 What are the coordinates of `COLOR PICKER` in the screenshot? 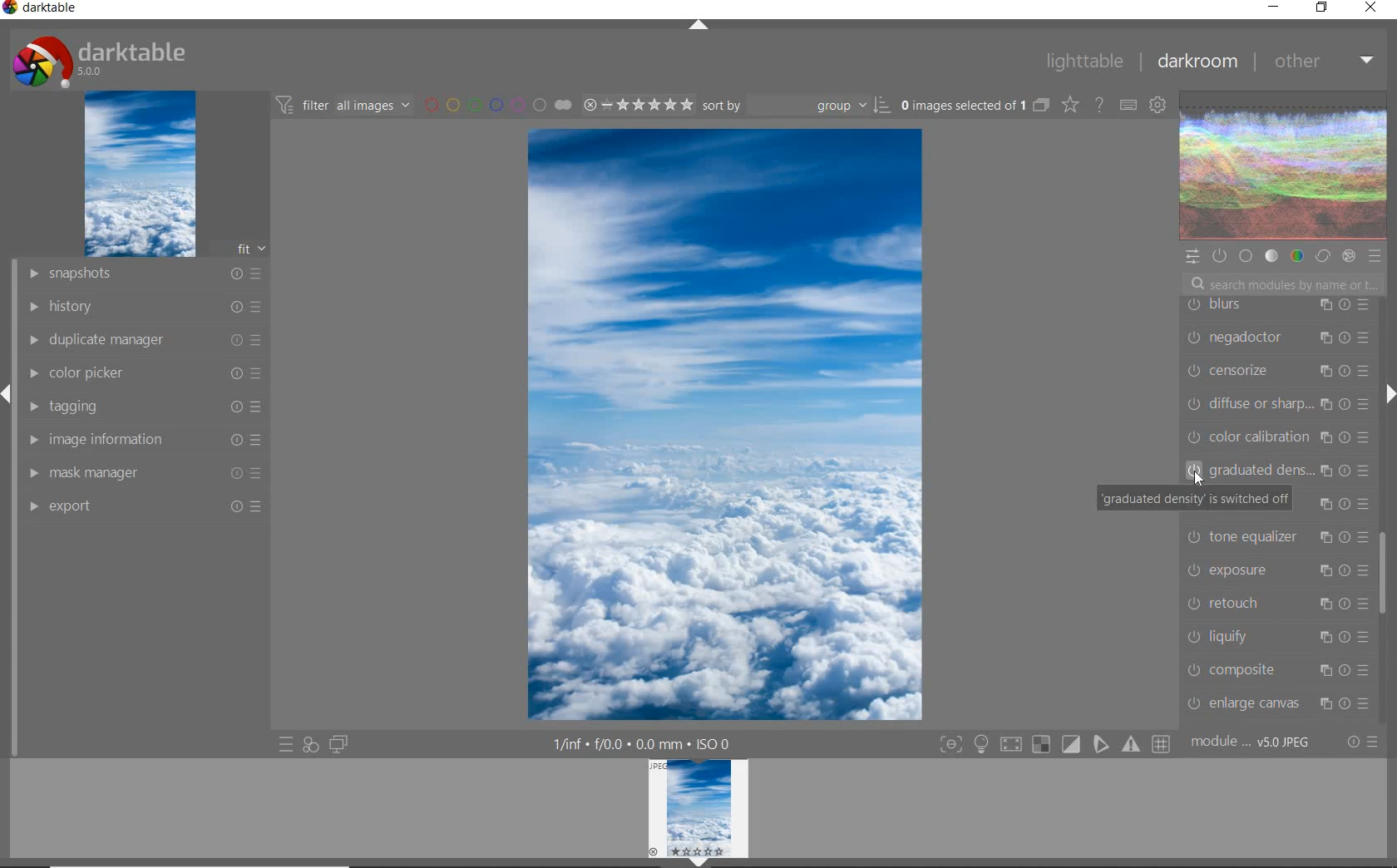 It's located at (146, 374).